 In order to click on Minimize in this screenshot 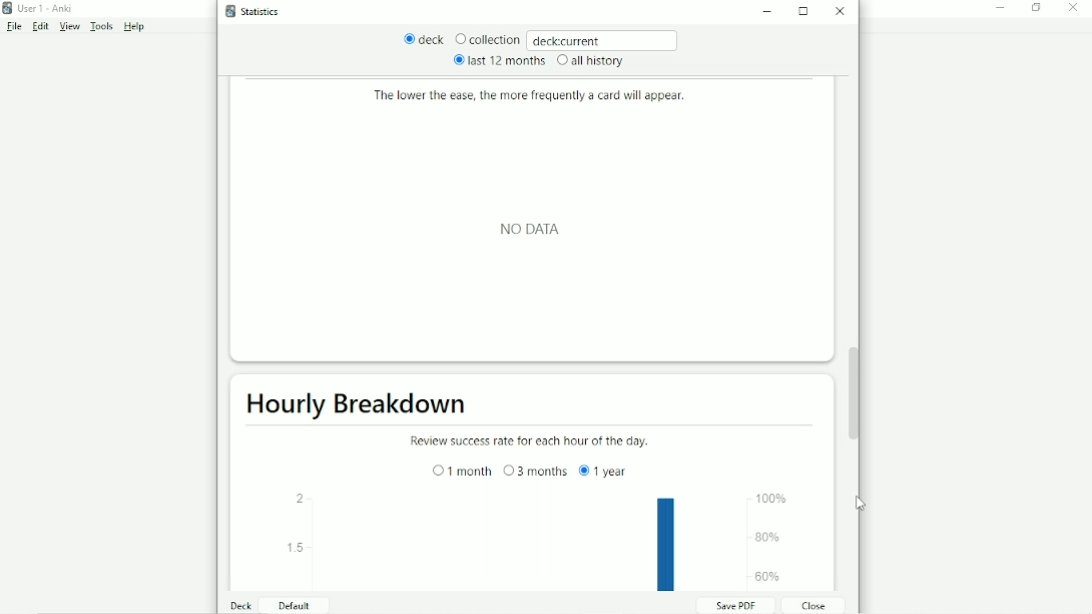, I will do `click(1001, 8)`.